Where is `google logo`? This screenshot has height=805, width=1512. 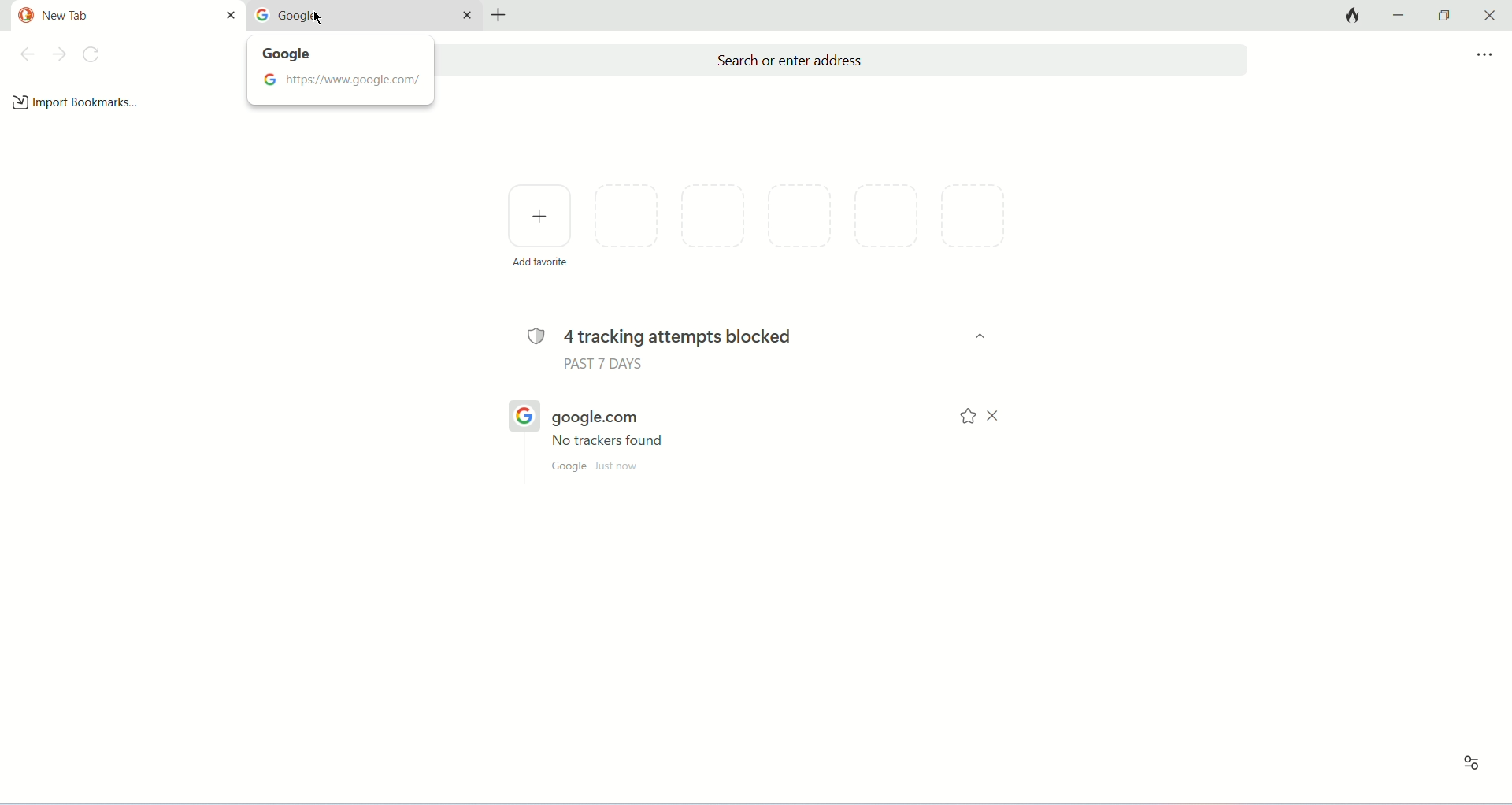 google logo is located at coordinates (272, 80).